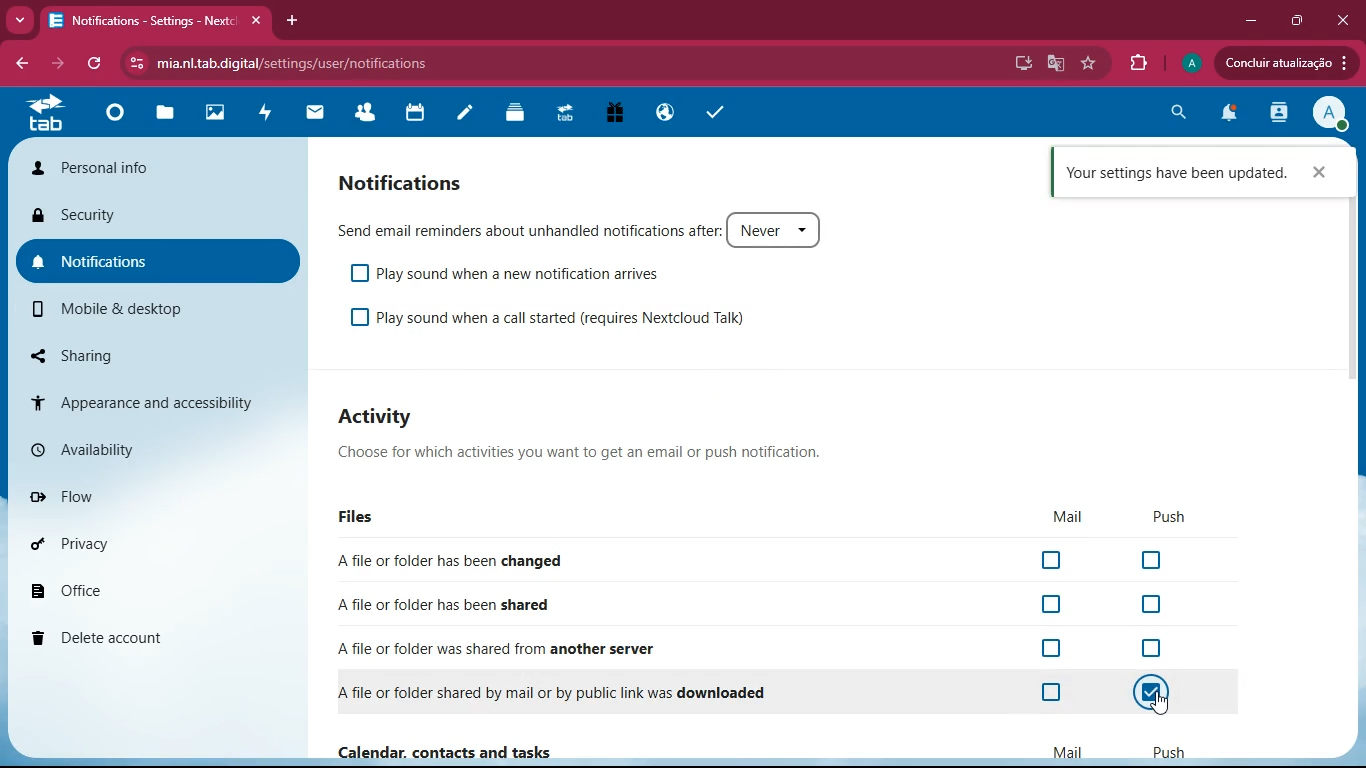 The image size is (1366, 768). I want to click on off, so click(1051, 692).